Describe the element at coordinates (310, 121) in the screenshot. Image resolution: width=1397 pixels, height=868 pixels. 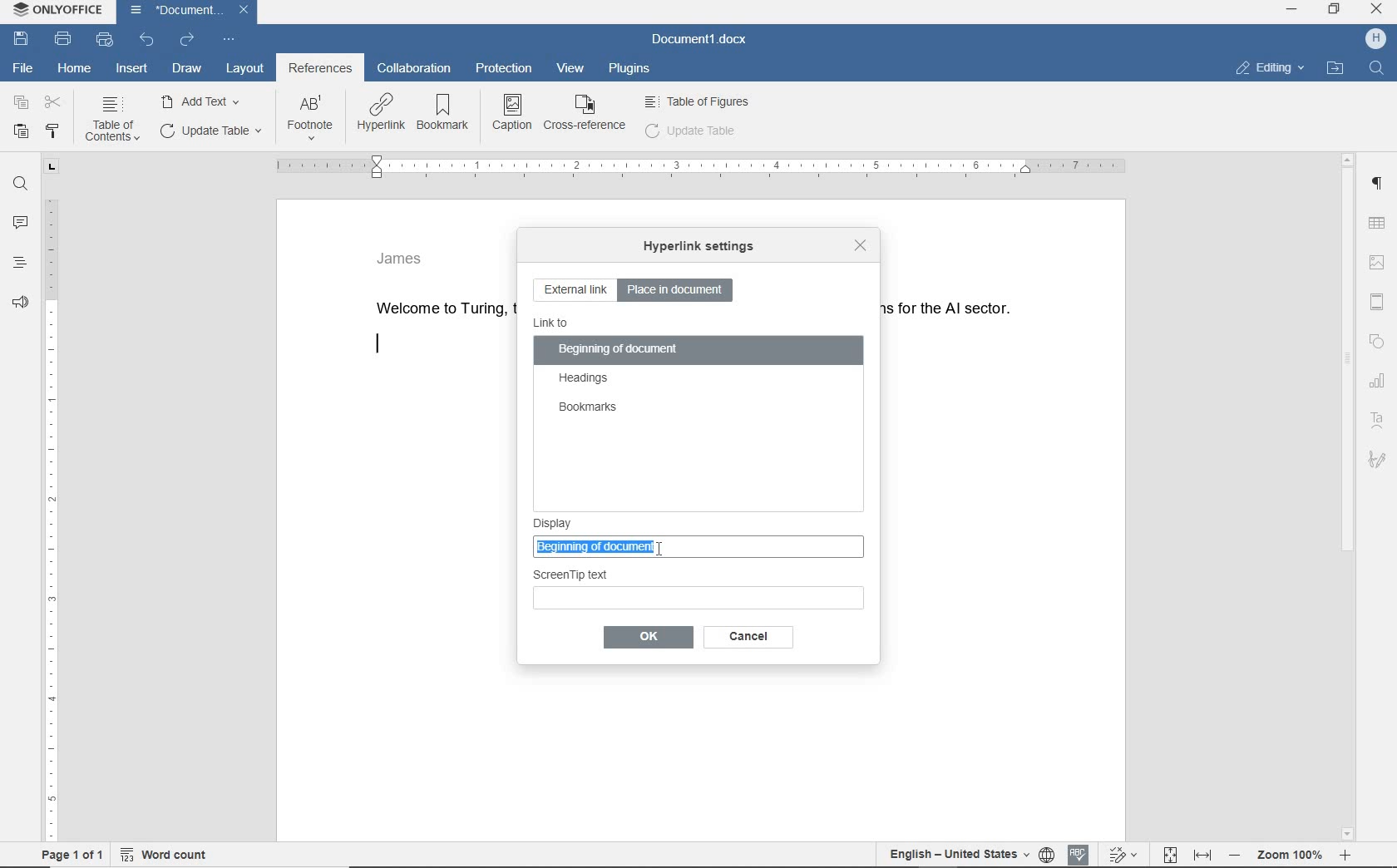
I see `FOOTNOTE` at that location.